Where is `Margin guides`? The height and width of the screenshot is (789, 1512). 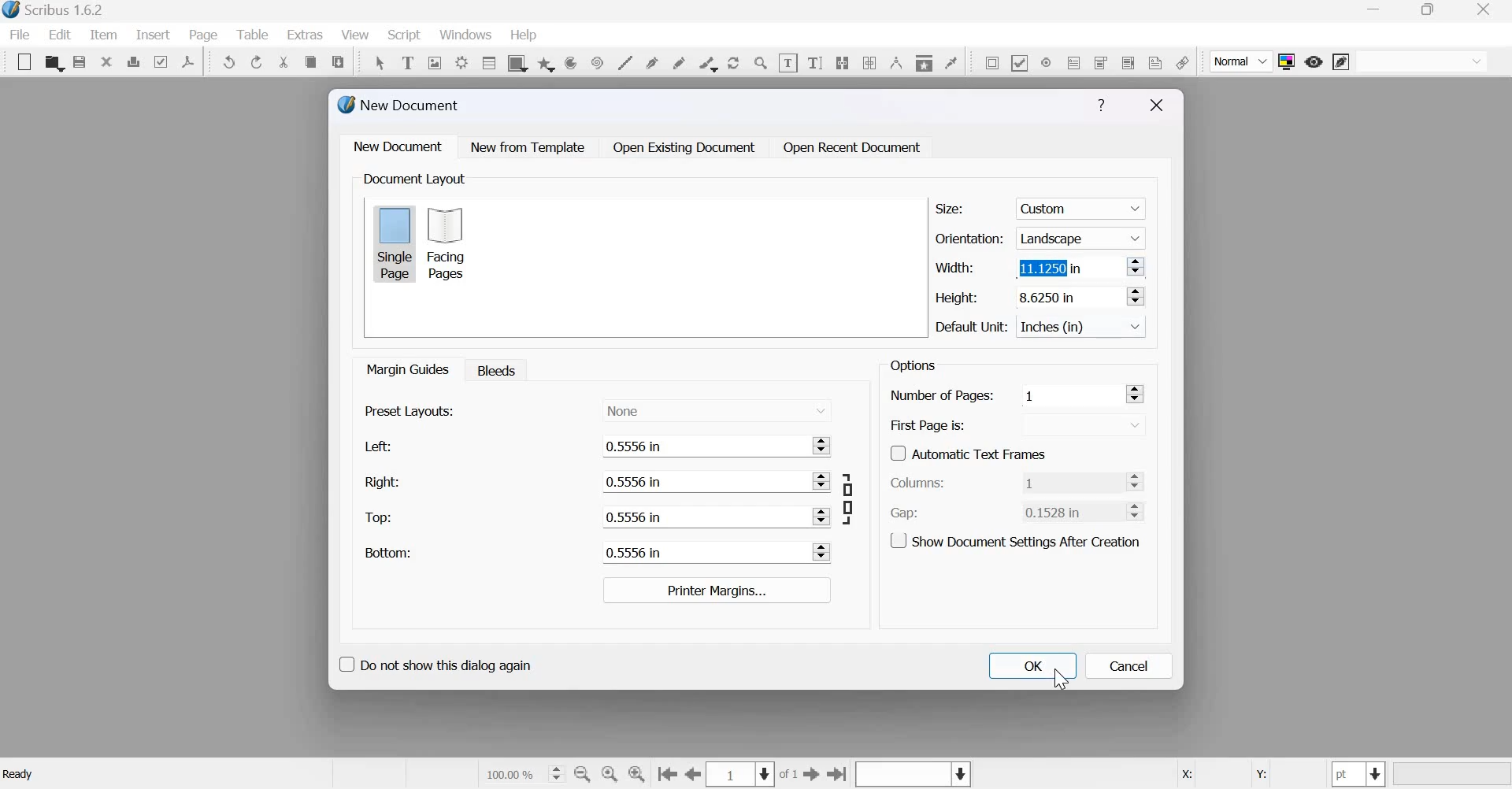 Margin guides is located at coordinates (406, 369).